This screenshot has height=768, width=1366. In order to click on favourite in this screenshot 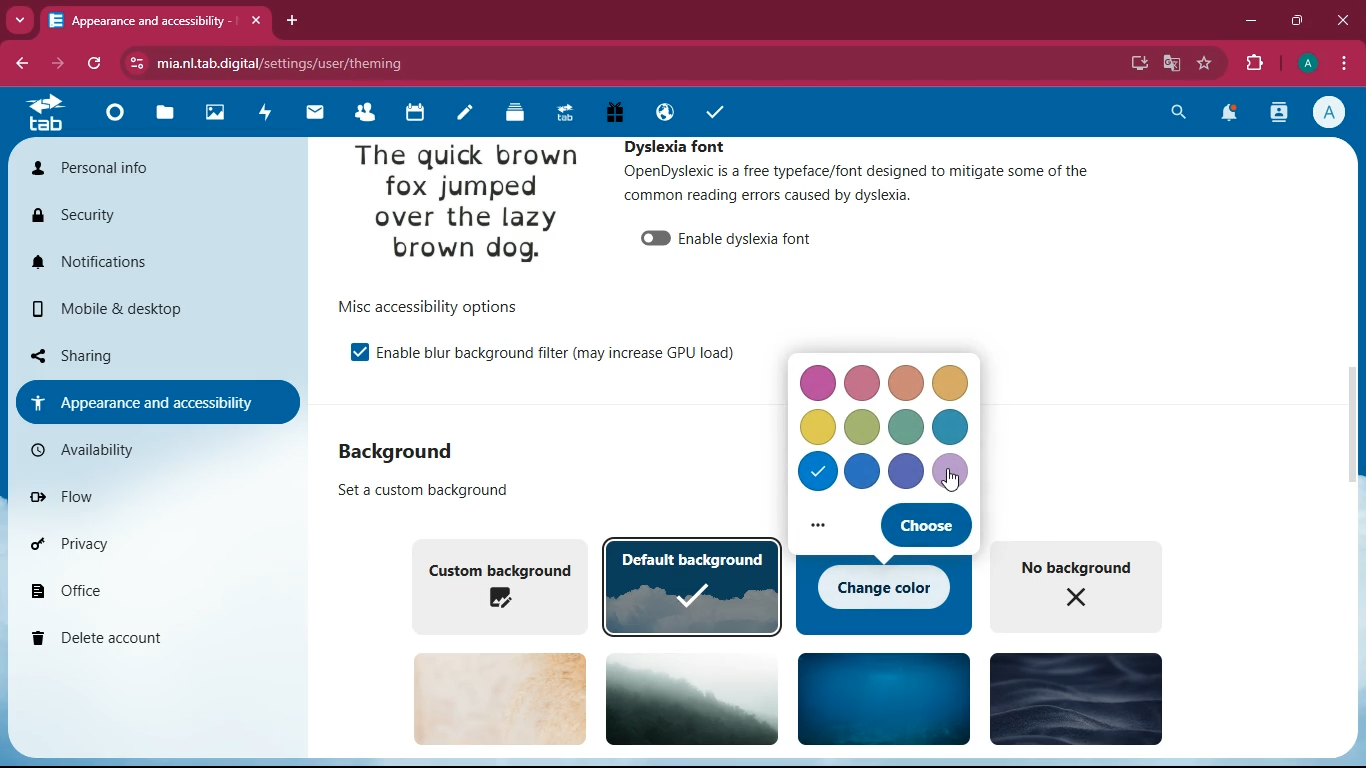, I will do `click(1205, 63)`.